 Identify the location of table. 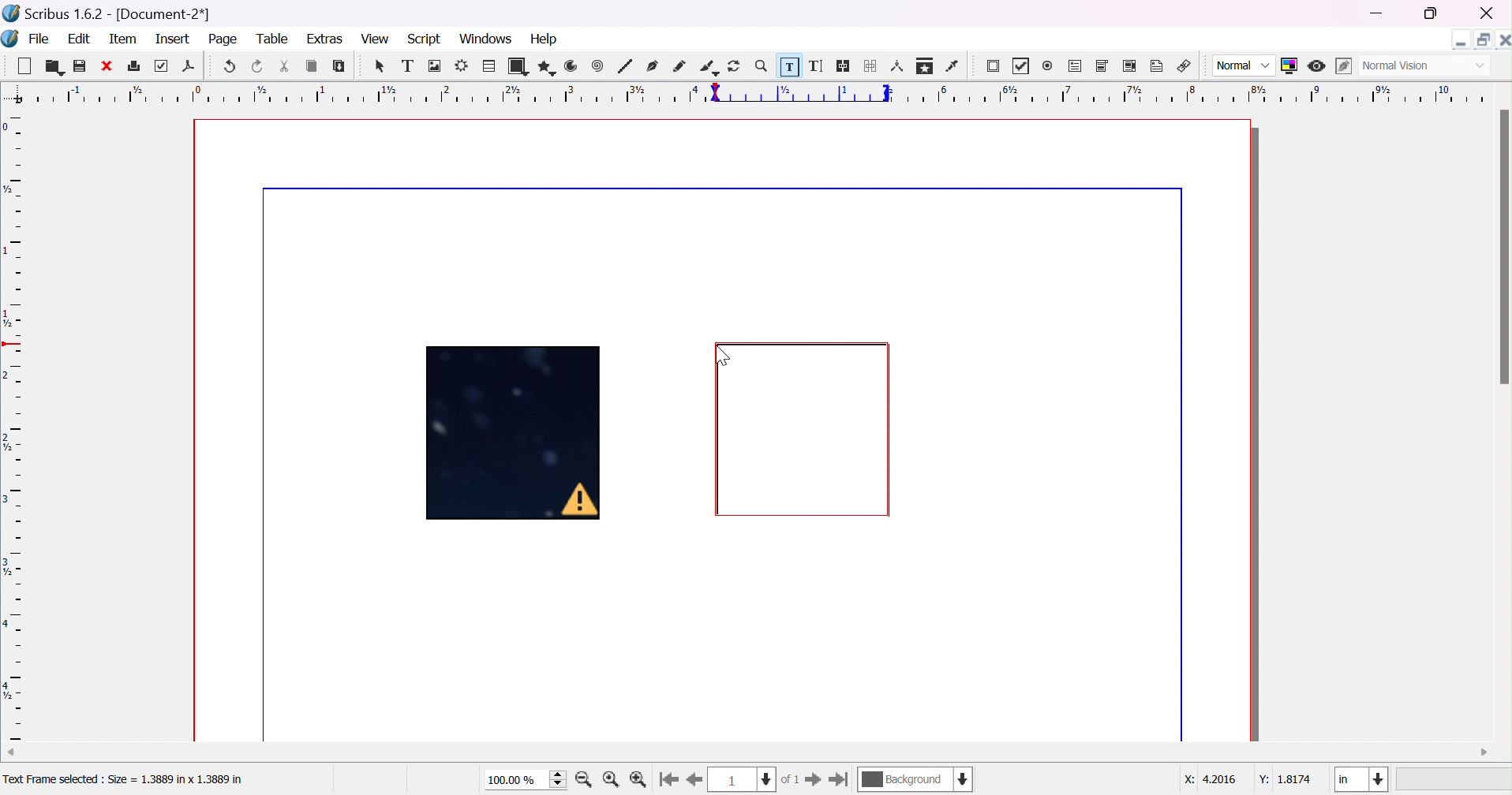
(275, 39).